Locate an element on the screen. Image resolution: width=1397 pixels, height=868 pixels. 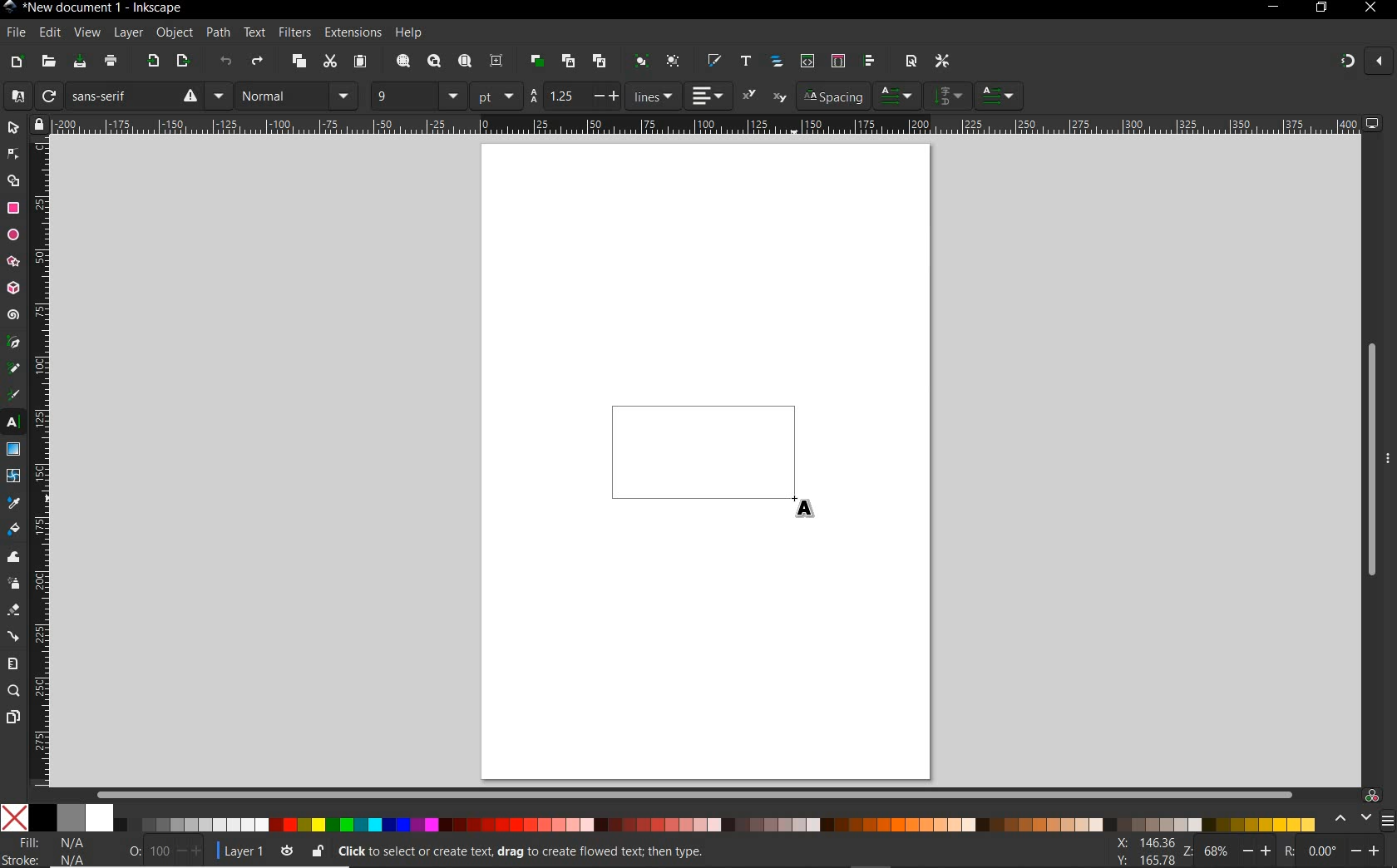
size is located at coordinates (453, 96).